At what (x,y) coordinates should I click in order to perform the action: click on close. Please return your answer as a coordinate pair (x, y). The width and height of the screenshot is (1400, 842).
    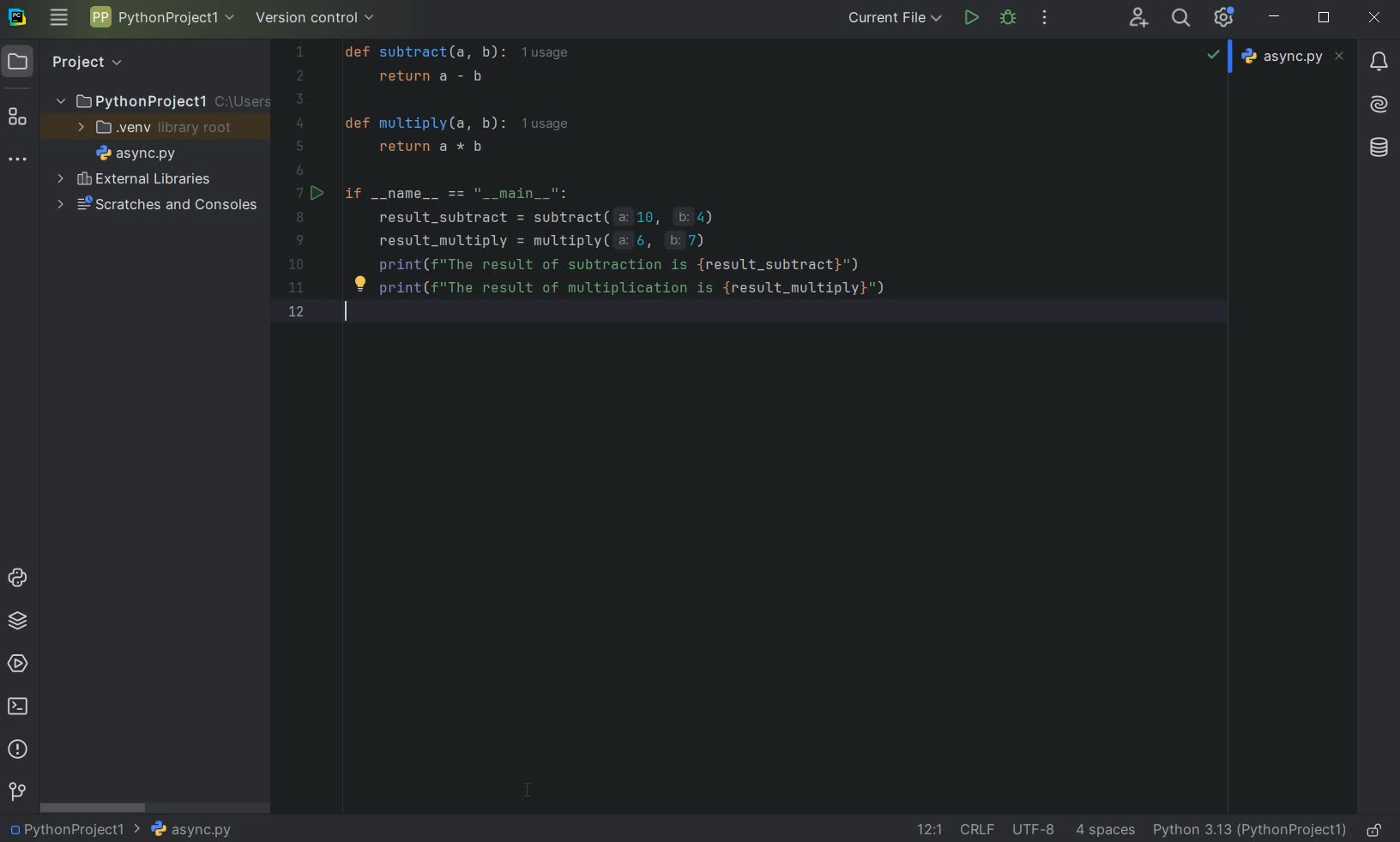
    Looking at the image, I should click on (1374, 18).